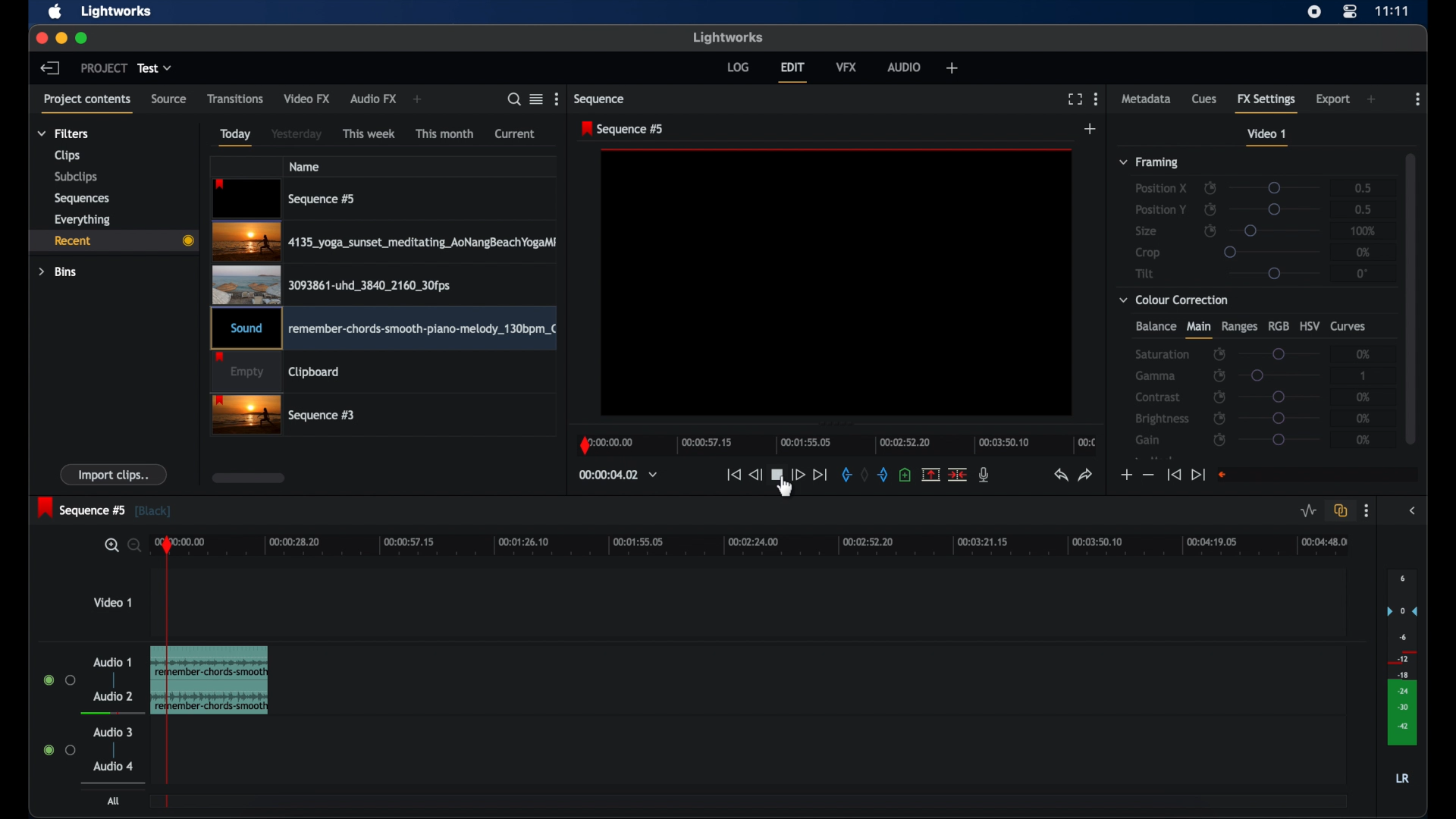  What do you see at coordinates (374, 99) in the screenshot?
I see `audio fx` at bounding box center [374, 99].